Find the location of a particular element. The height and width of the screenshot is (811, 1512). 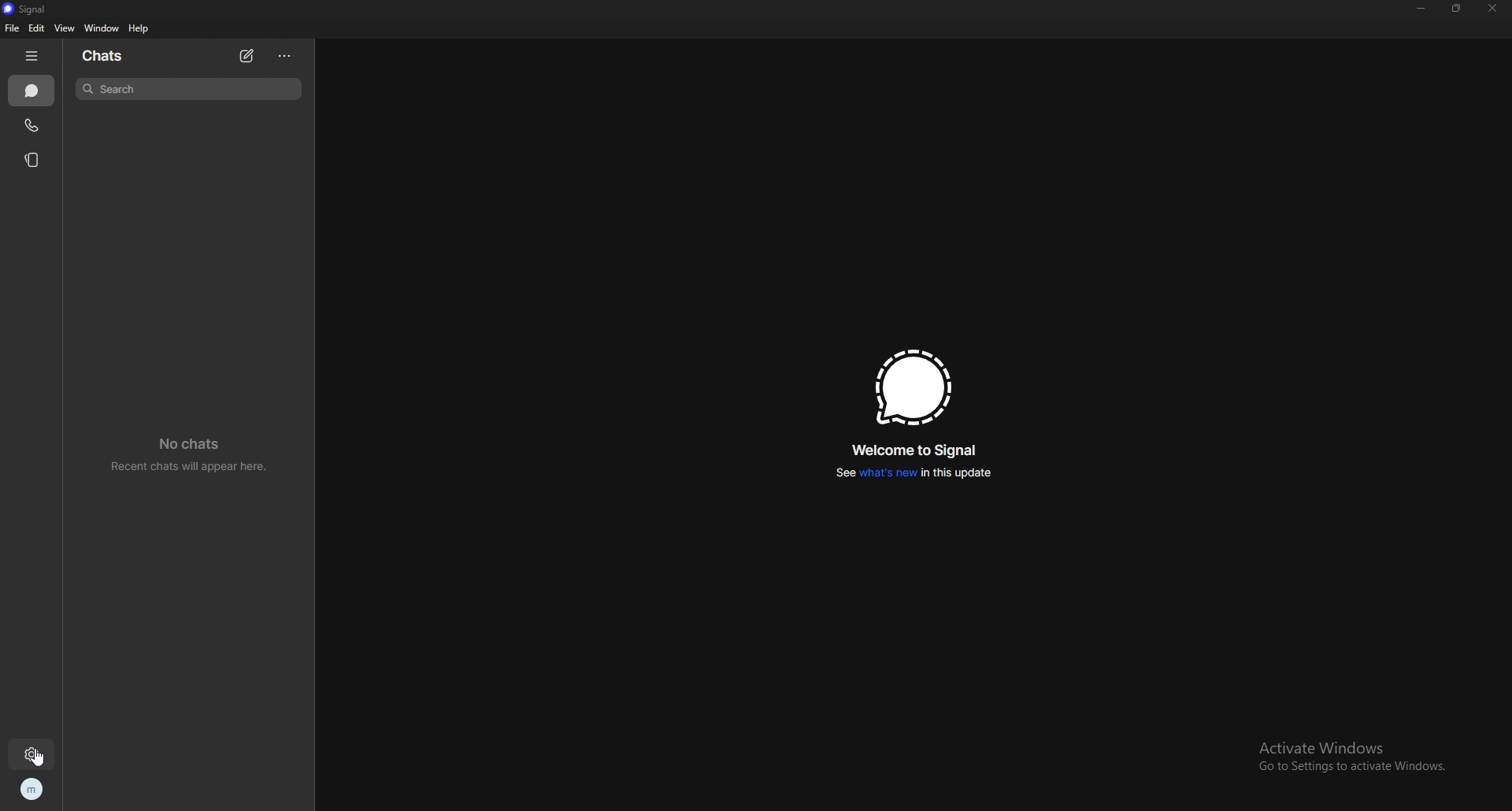

call is located at coordinates (31, 126).